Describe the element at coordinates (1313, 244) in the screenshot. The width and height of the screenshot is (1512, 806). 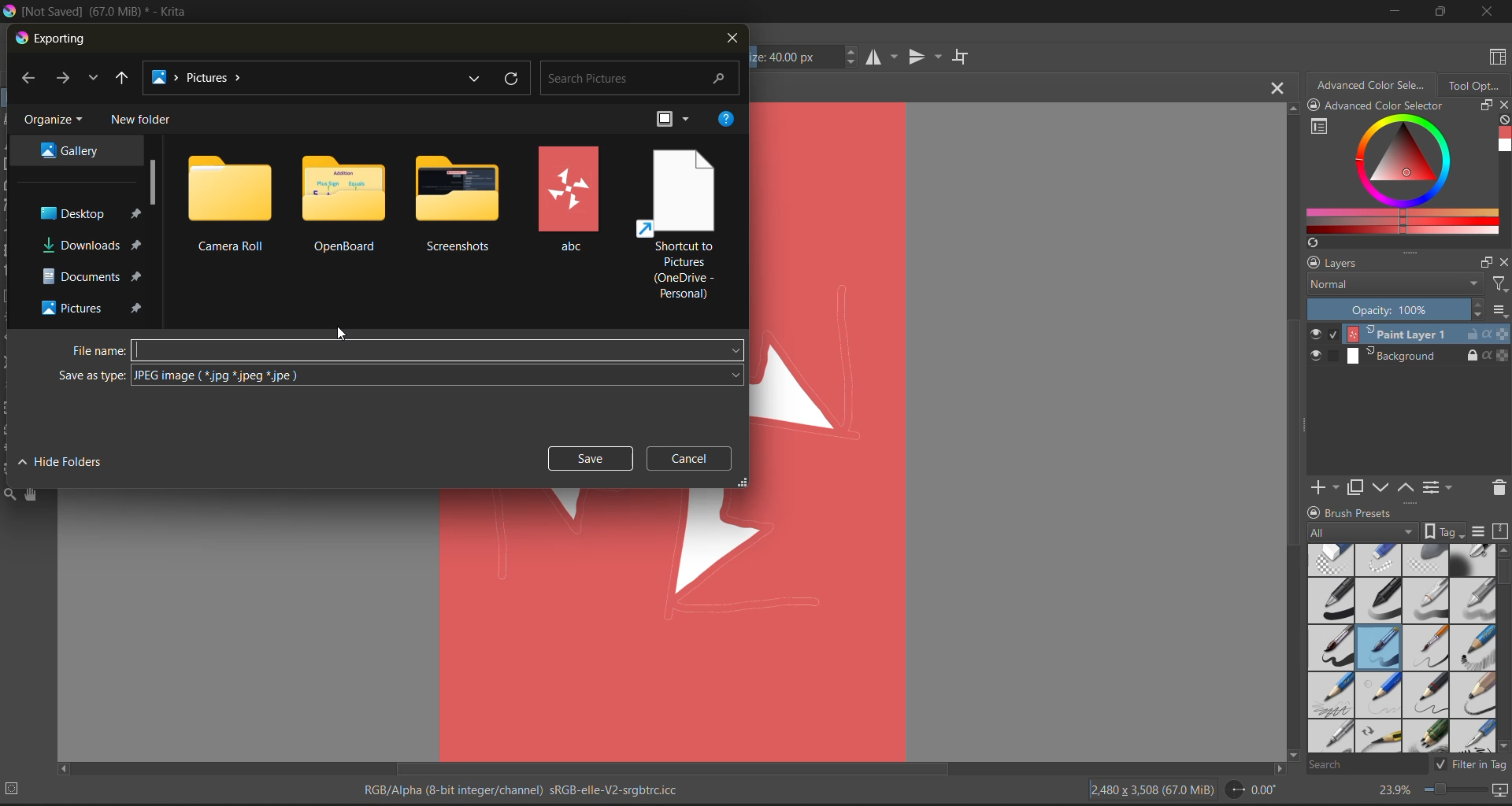
I see `create a list of colors` at that location.